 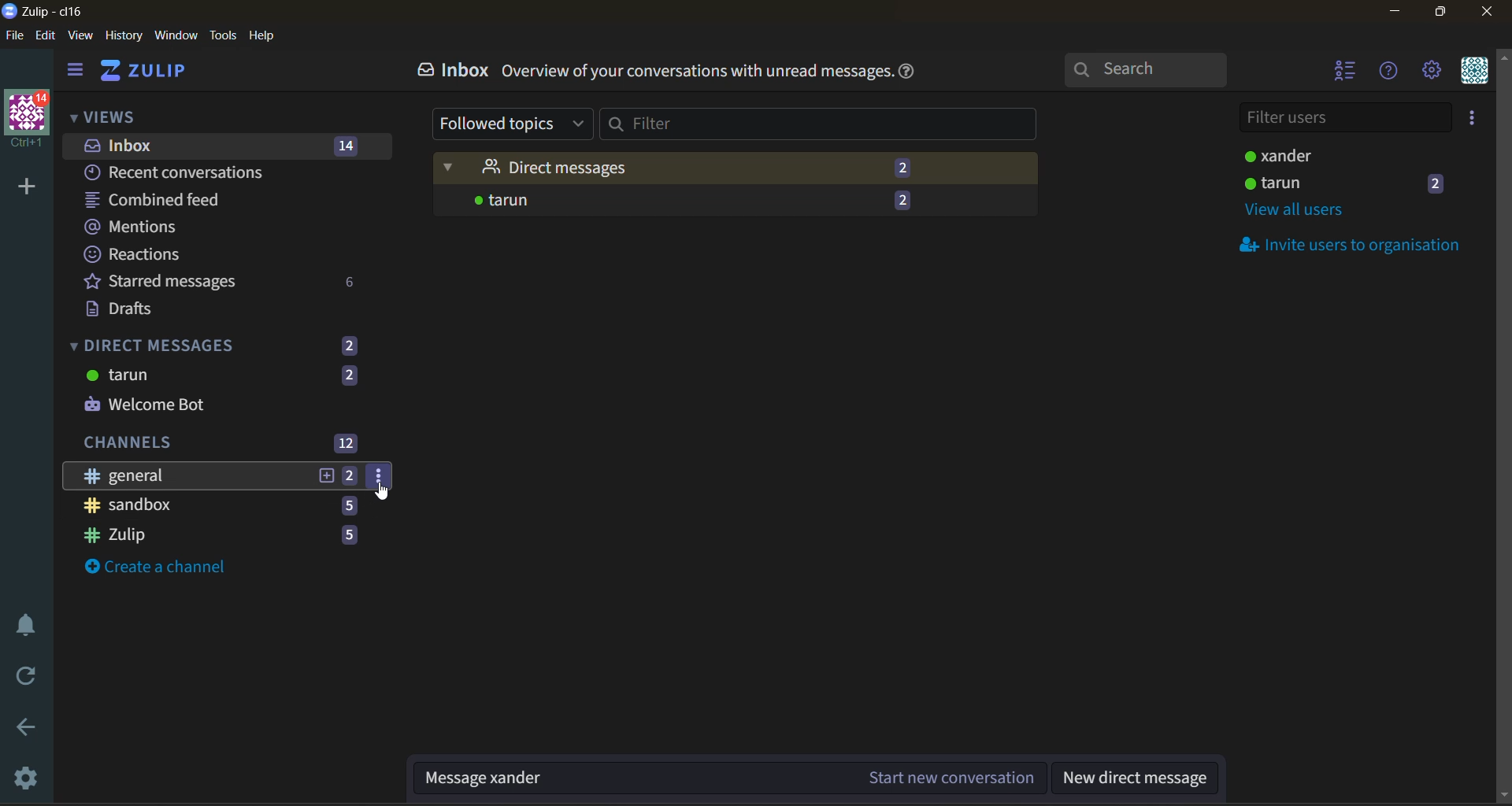 What do you see at coordinates (227, 283) in the screenshot?
I see `starred messages 6` at bounding box center [227, 283].